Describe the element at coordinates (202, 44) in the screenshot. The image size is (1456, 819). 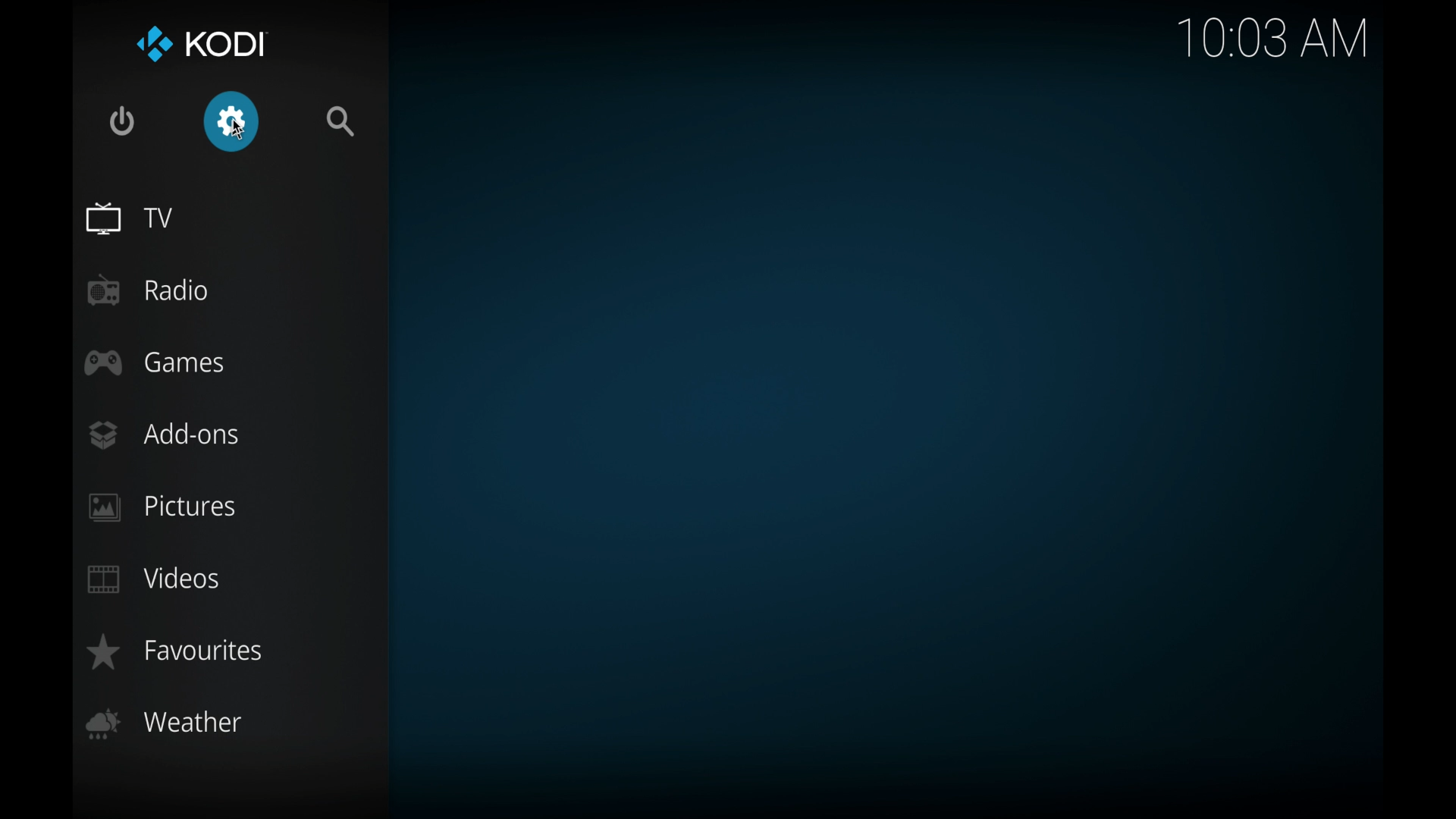
I see `Kodi` at that location.